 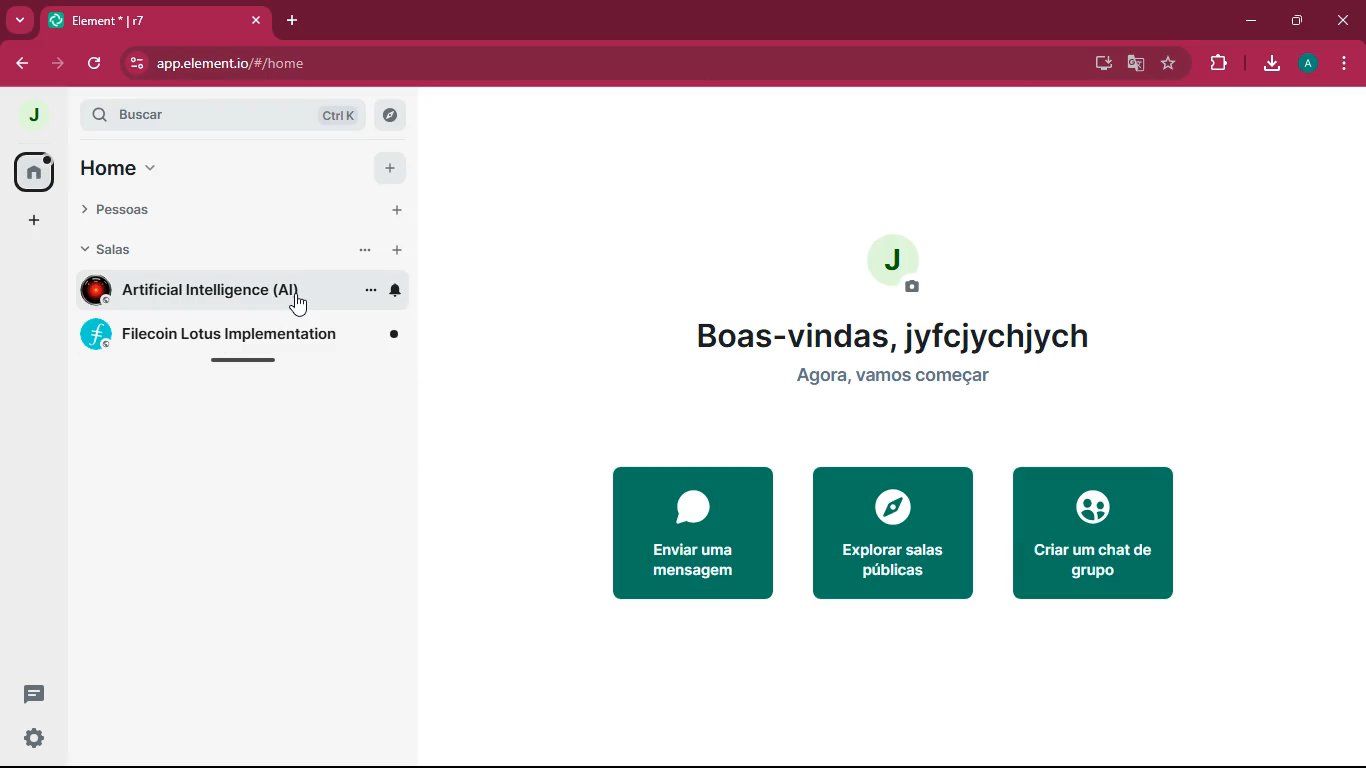 I want to click on add tab, so click(x=291, y=23).